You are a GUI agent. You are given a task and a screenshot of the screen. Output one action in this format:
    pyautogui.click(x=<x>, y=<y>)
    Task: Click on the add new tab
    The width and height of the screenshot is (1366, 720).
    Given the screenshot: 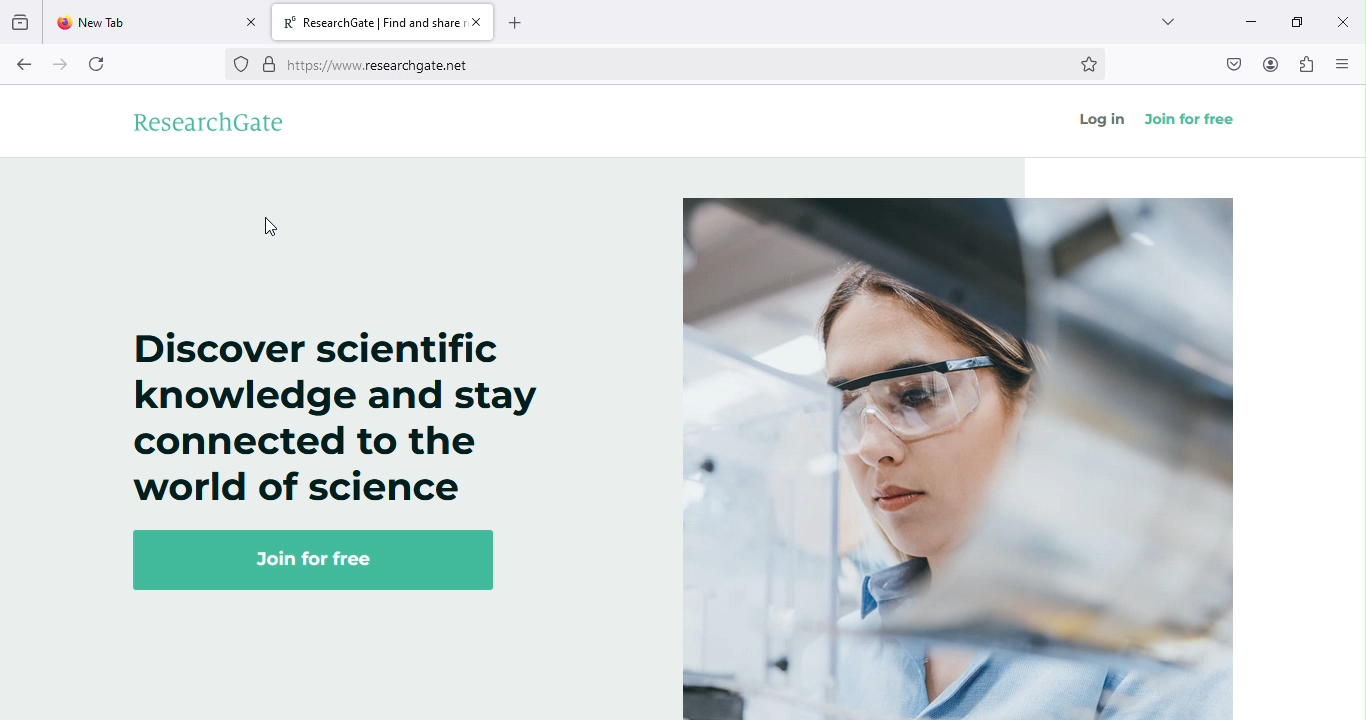 What is the action you would take?
    pyautogui.click(x=522, y=24)
    